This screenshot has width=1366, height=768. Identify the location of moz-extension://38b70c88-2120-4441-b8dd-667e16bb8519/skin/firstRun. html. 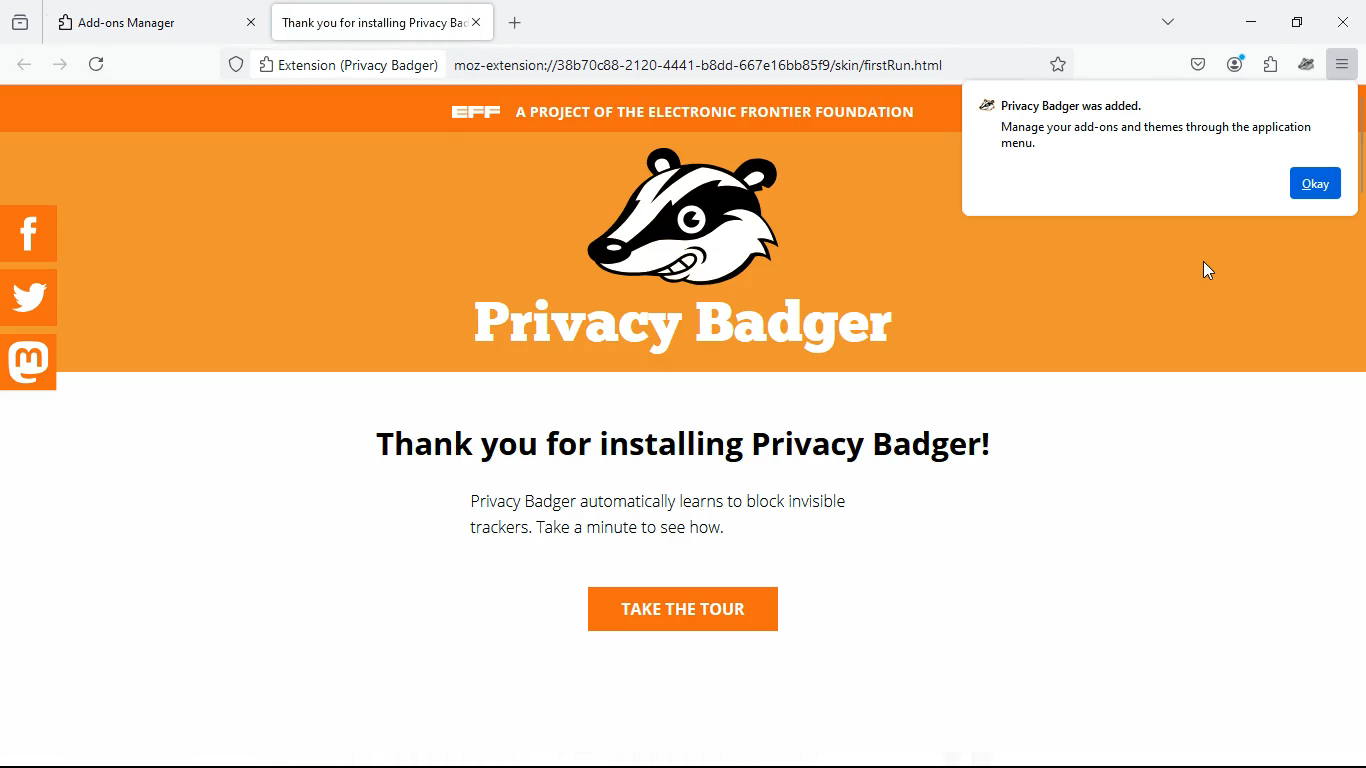
(698, 63).